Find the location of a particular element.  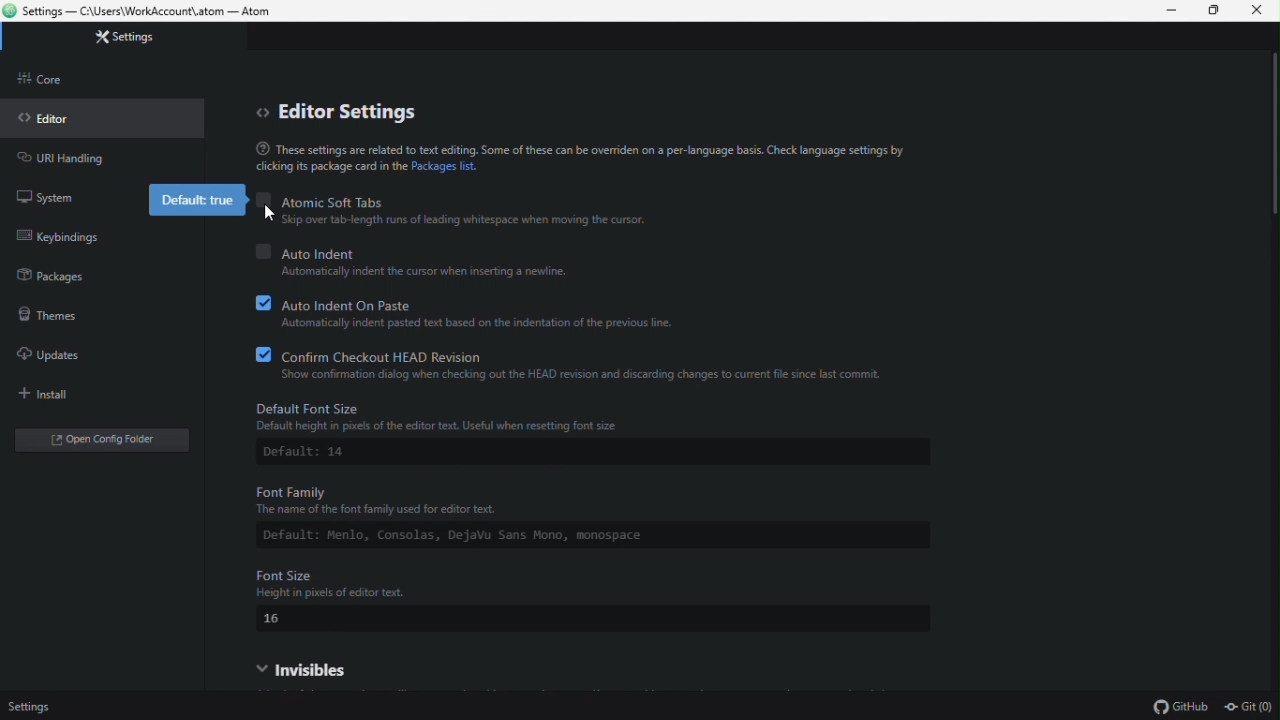

Open folder is located at coordinates (86, 434).